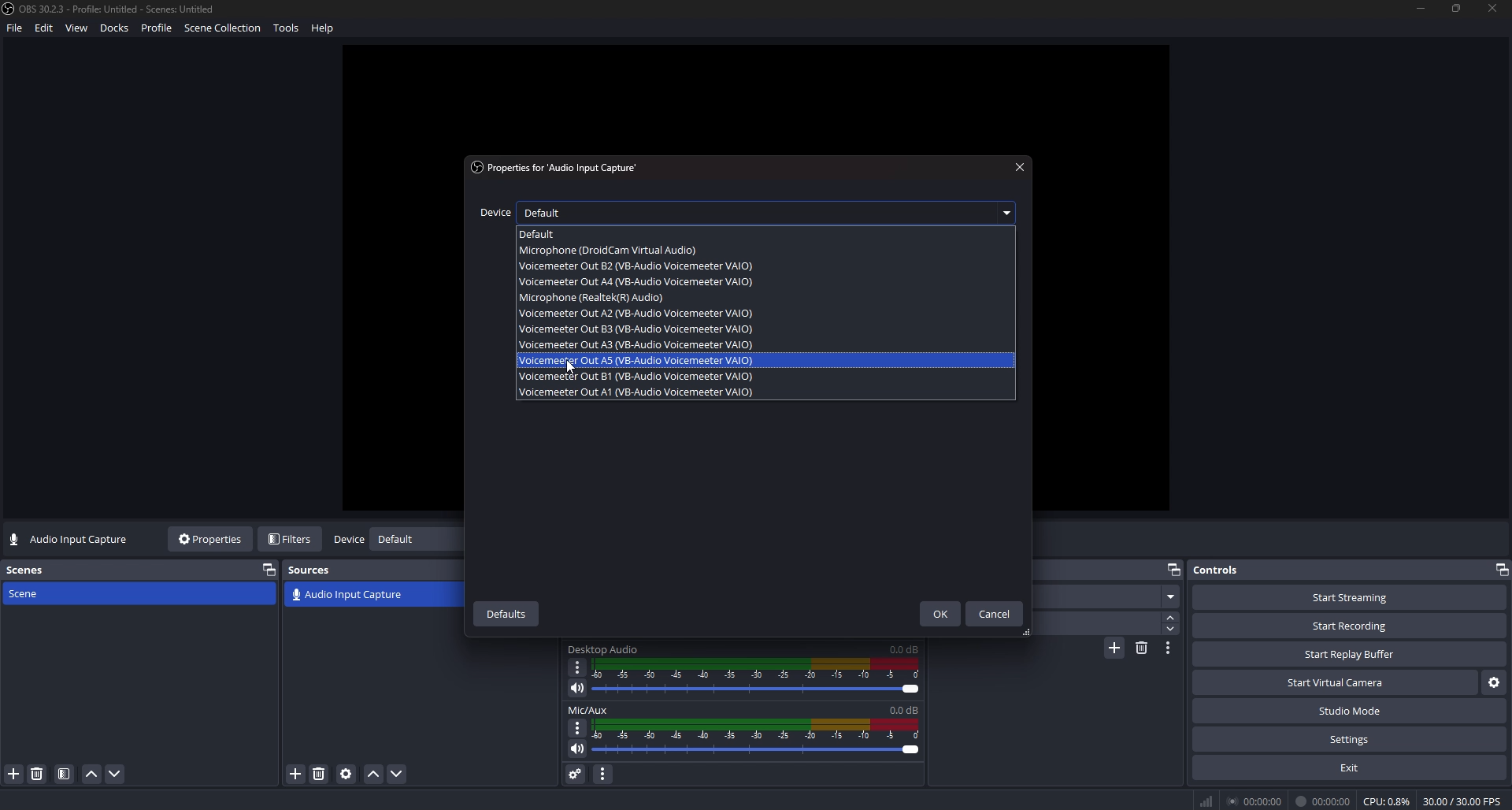 The image size is (1512, 810). Describe the element at coordinates (1334, 683) in the screenshot. I see `start virtual camera` at that location.